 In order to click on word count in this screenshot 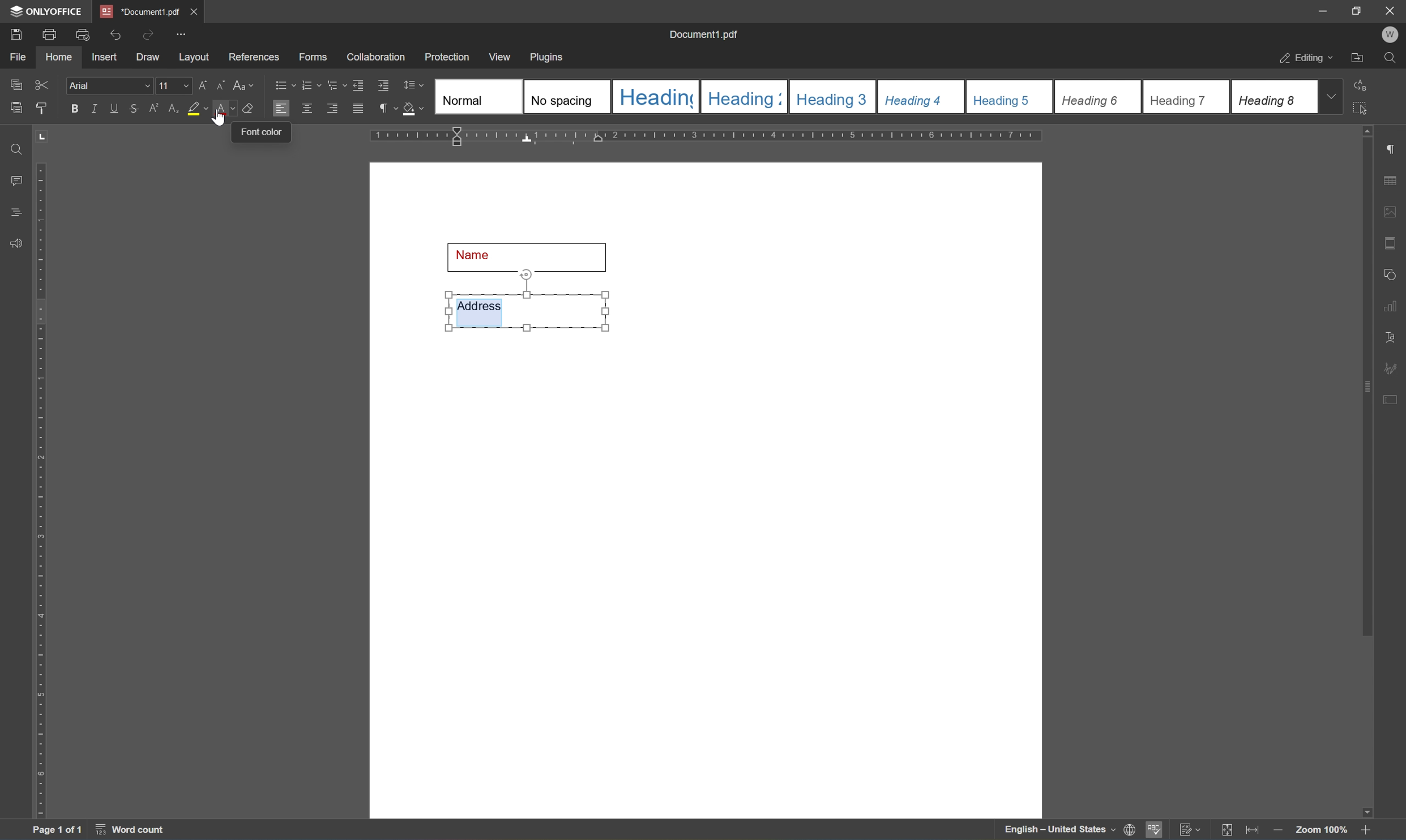, I will do `click(128, 831)`.